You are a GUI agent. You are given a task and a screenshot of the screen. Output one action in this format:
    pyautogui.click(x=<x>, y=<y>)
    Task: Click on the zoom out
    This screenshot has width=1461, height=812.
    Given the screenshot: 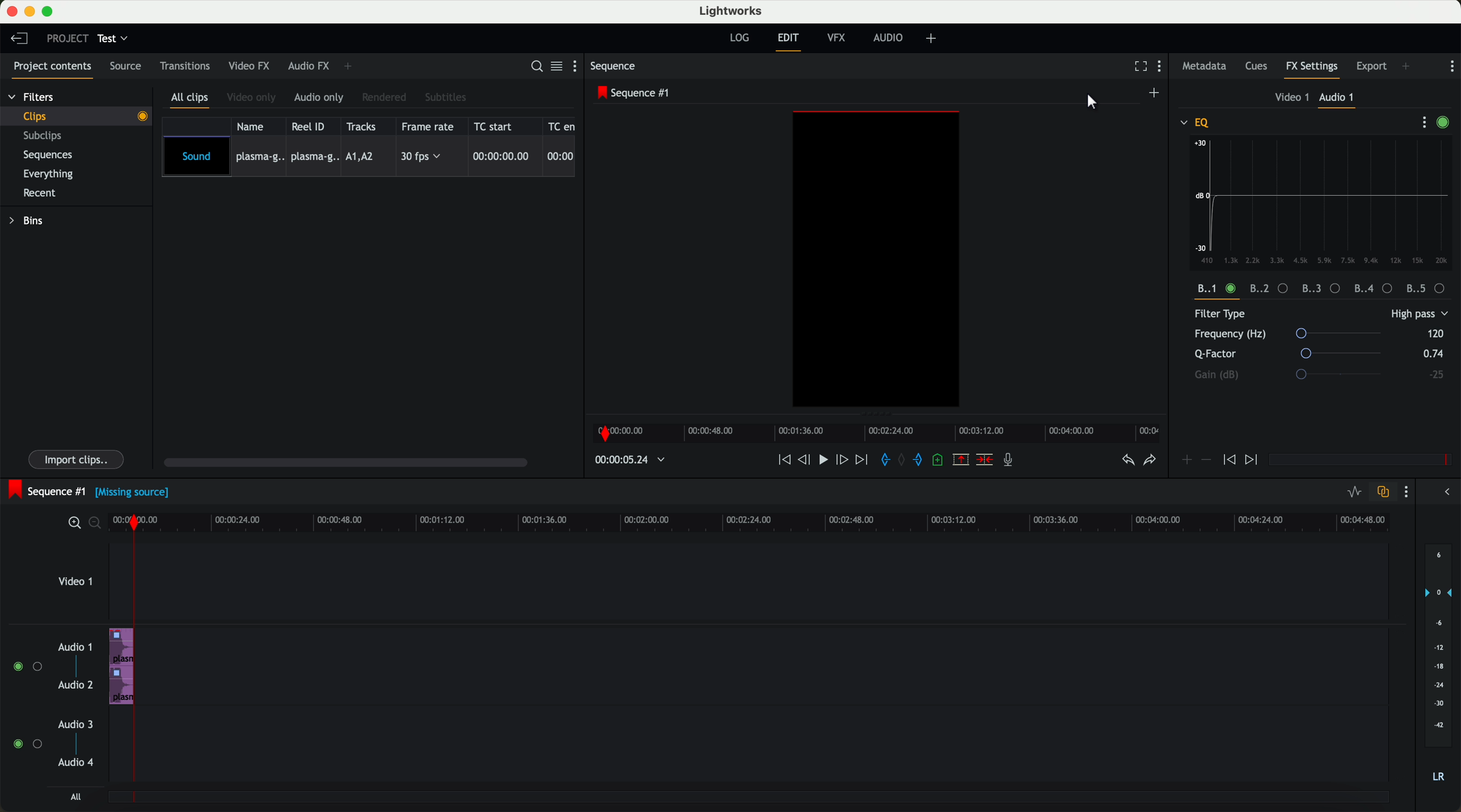 What is the action you would take?
    pyautogui.click(x=98, y=525)
    